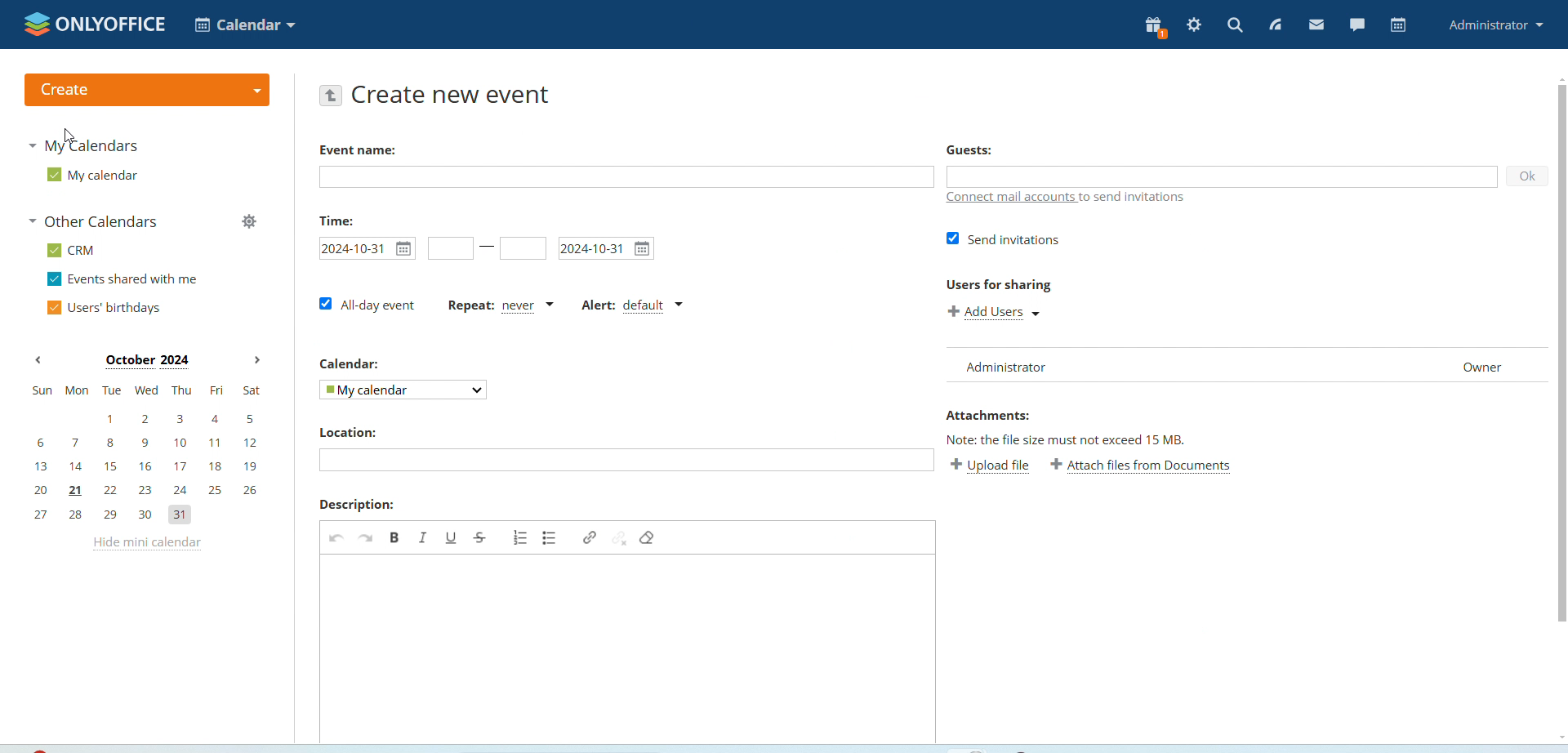  Describe the element at coordinates (251, 221) in the screenshot. I see `manage` at that location.